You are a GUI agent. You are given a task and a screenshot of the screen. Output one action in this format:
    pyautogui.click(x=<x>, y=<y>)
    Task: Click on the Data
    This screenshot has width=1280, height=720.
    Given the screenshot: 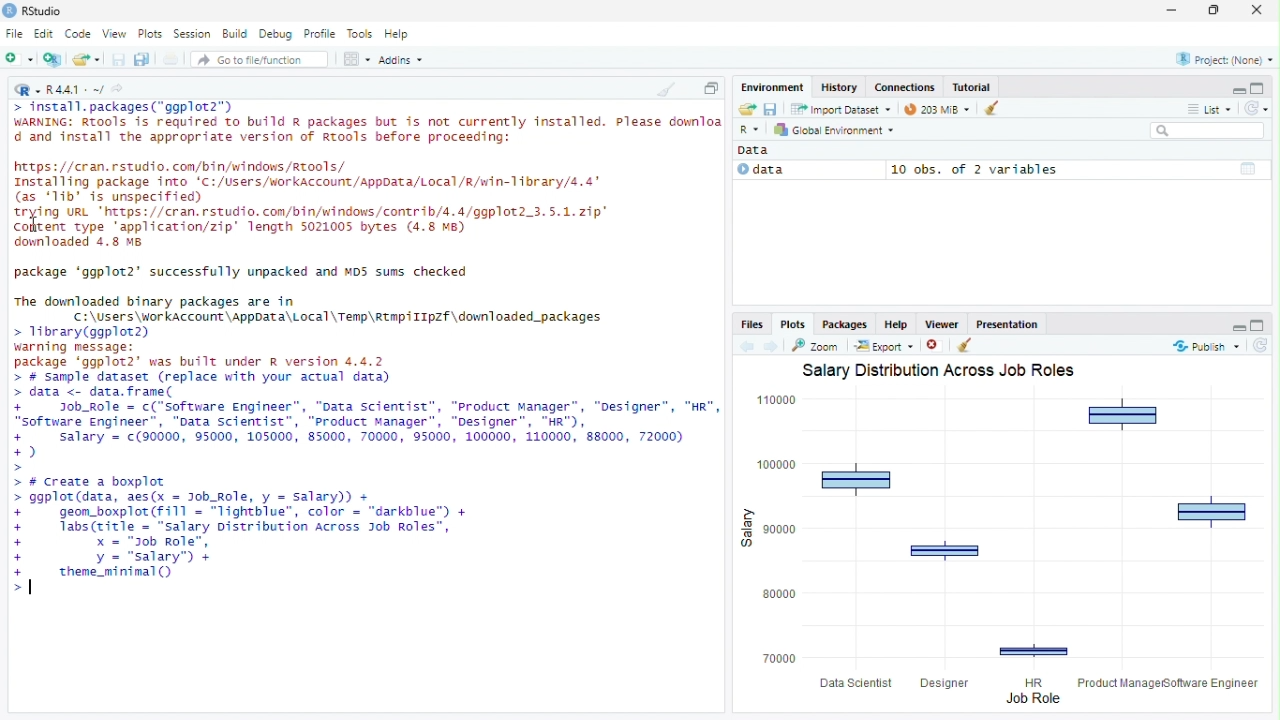 What is the action you would take?
    pyautogui.click(x=806, y=170)
    